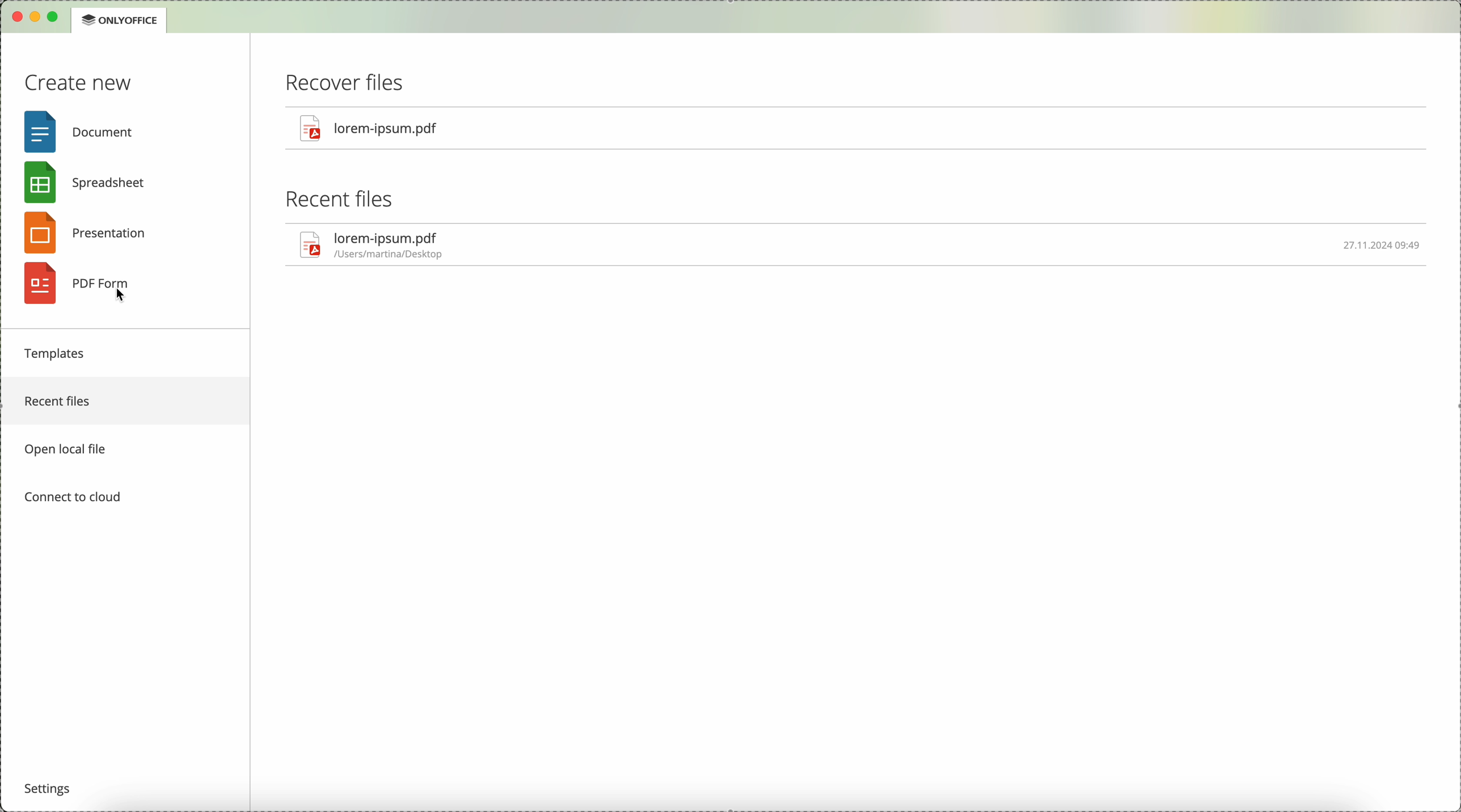 The height and width of the screenshot is (812, 1461). Describe the element at coordinates (129, 298) in the screenshot. I see `cursor` at that location.